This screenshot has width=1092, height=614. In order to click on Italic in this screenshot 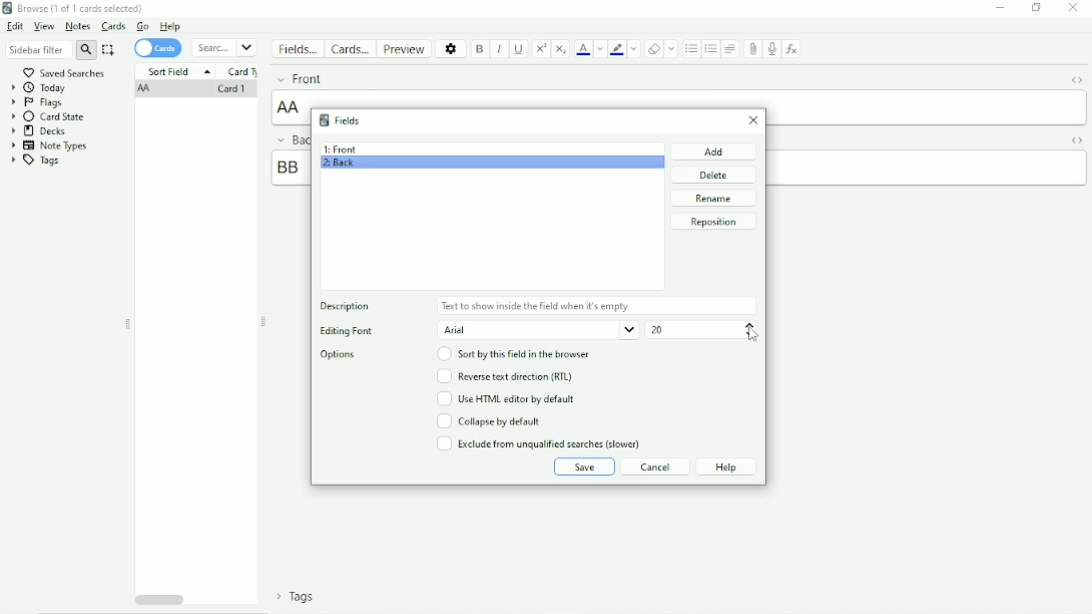, I will do `click(500, 50)`.